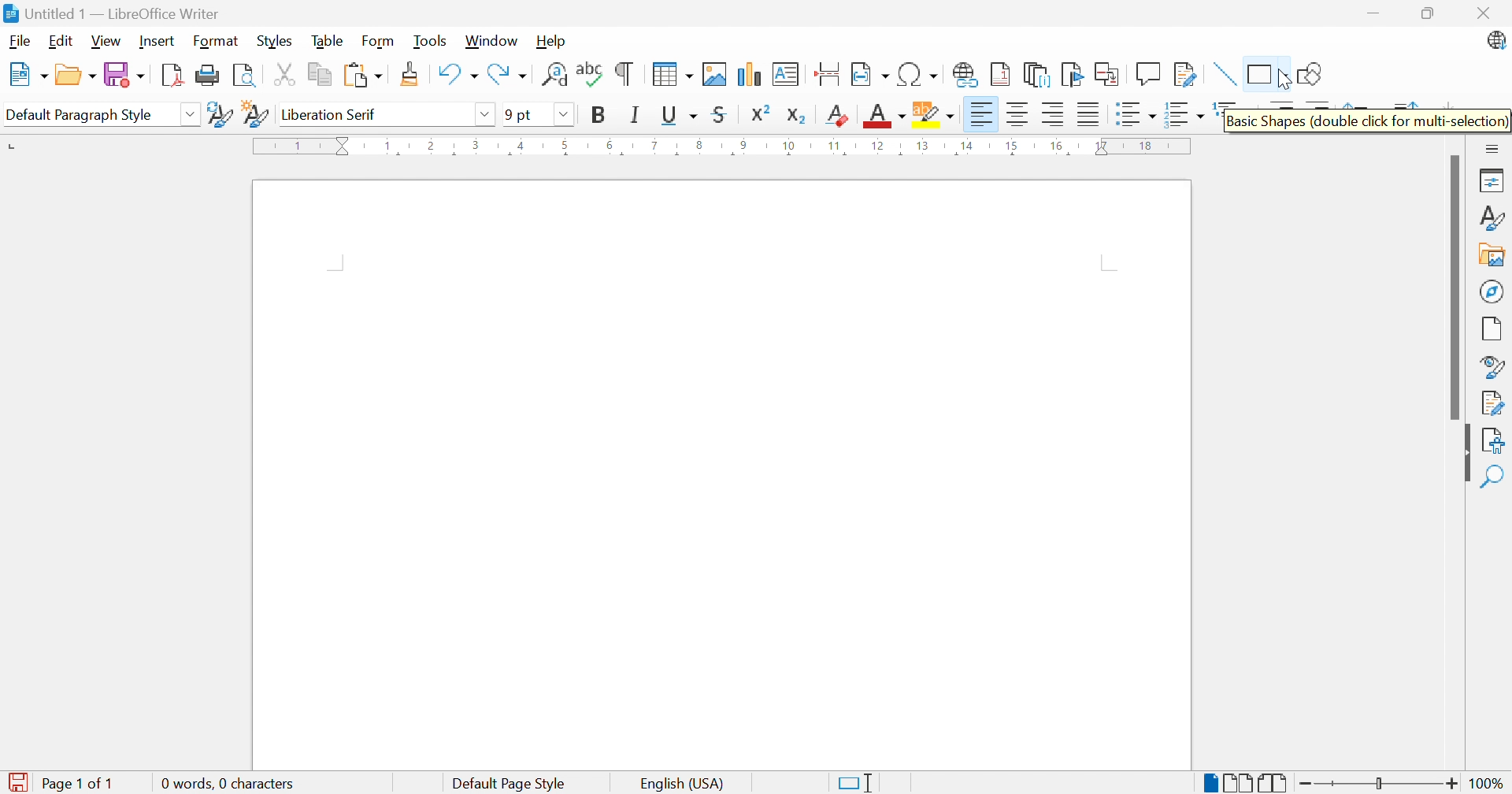  What do you see at coordinates (1481, 13) in the screenshot?
I see `Close` at bounding box center [1481, 13].